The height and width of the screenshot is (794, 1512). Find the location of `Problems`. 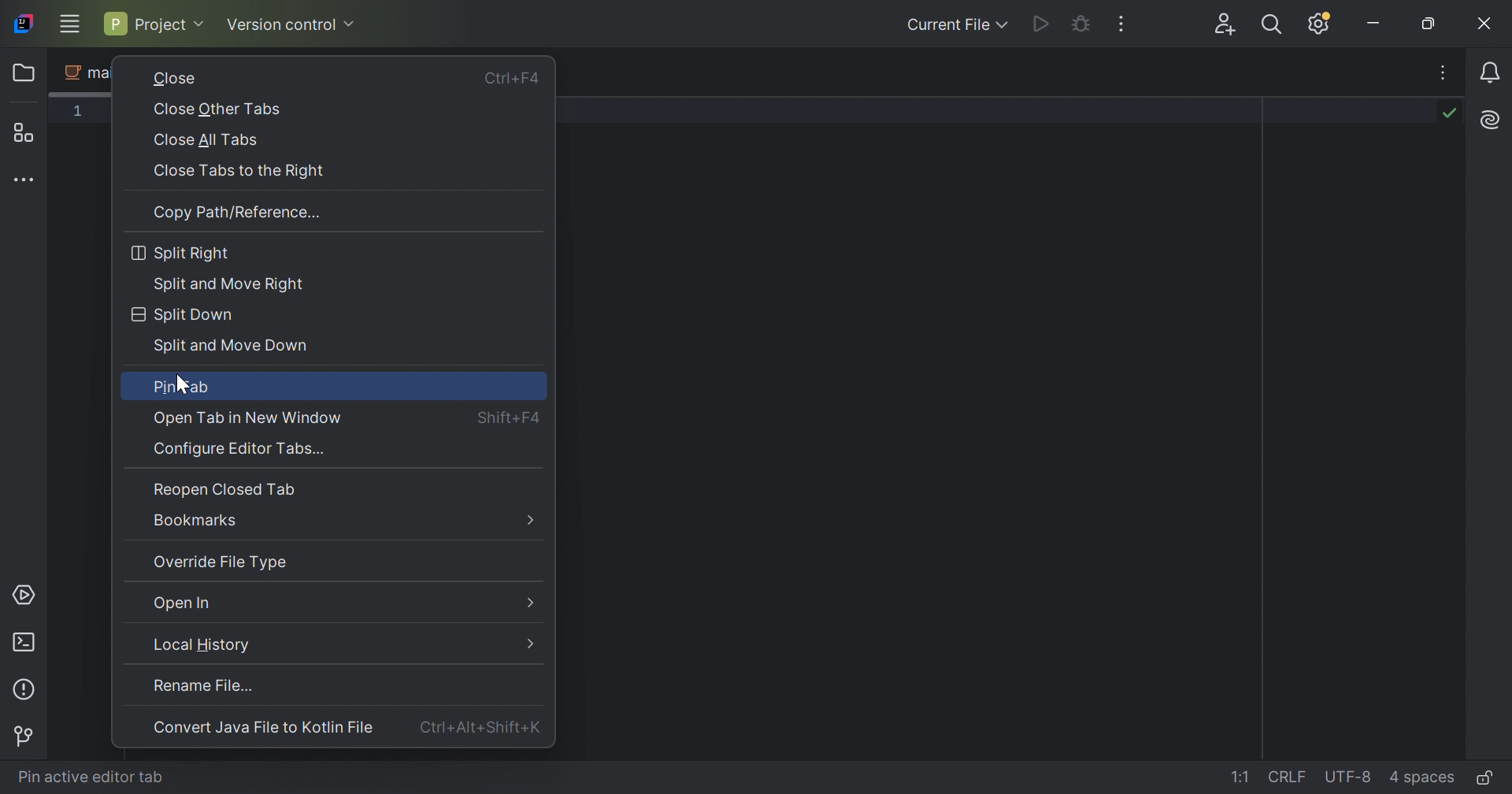

Problems is located at coordinates (27, 690).